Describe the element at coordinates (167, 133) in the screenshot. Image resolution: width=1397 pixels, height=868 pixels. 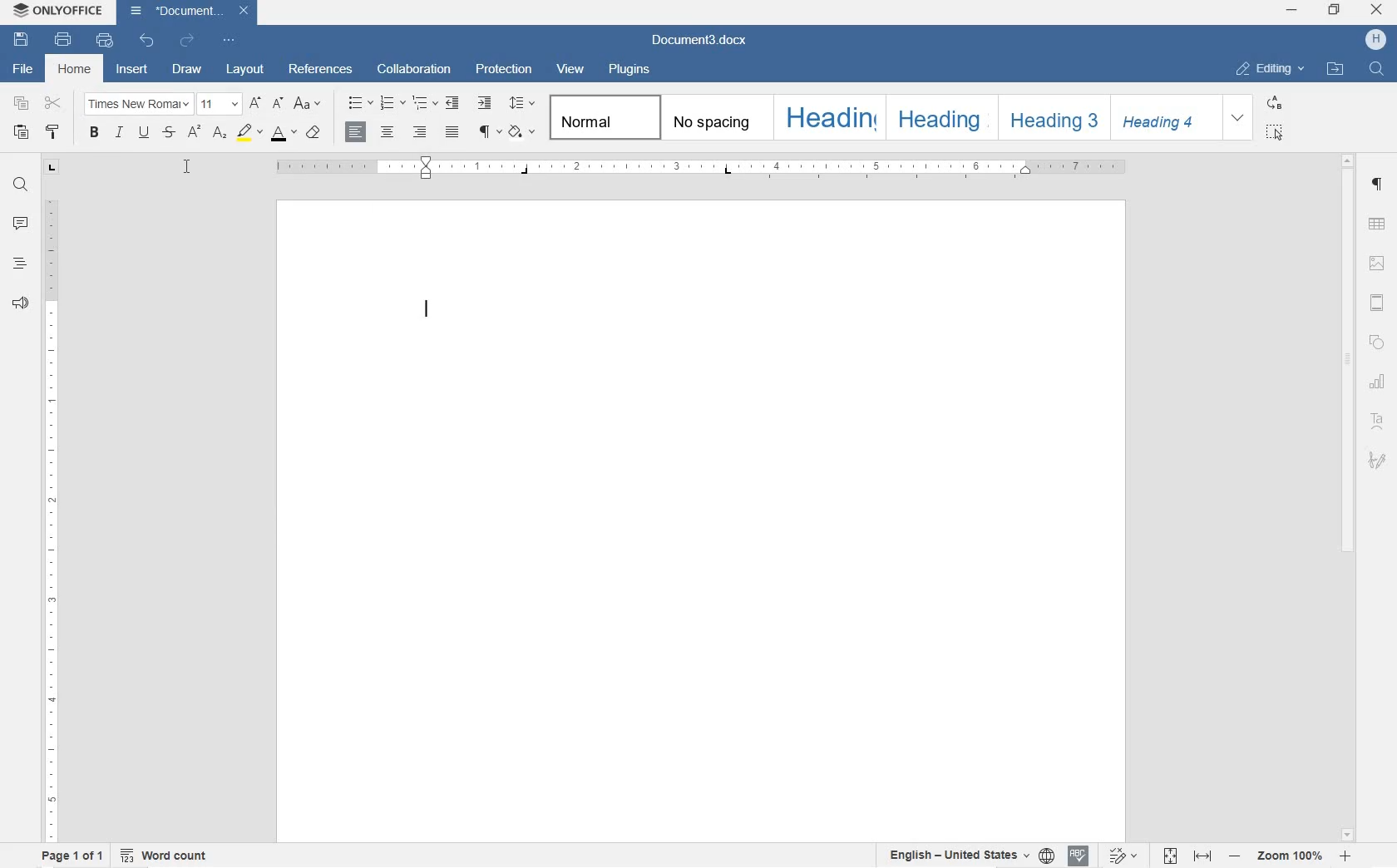
I see `STRIKETHROUGH` at that location.